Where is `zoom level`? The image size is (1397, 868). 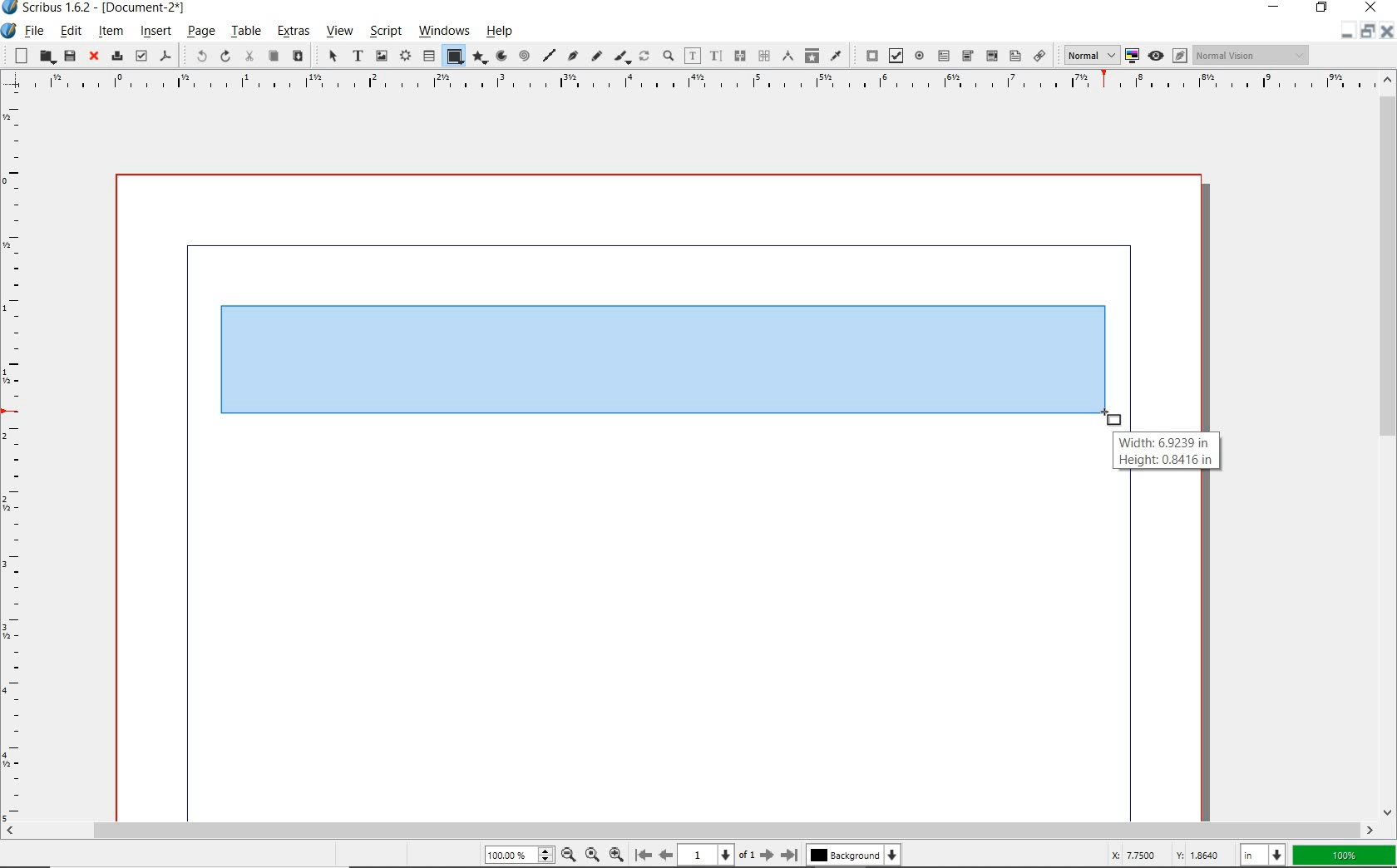 zoom level is located at coordinates (517, 855).